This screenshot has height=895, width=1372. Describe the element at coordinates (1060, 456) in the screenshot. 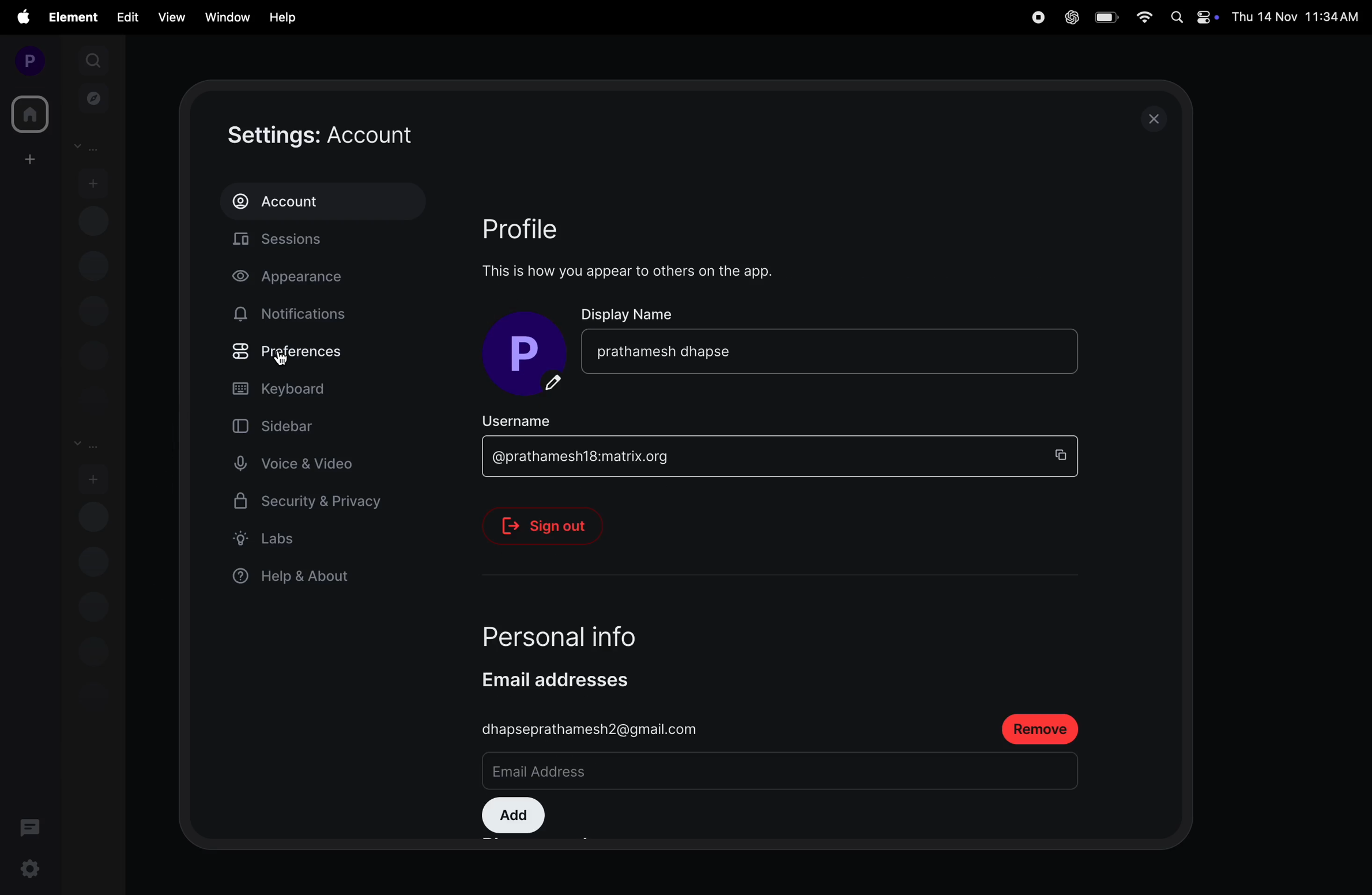

I see `copy` at that location.